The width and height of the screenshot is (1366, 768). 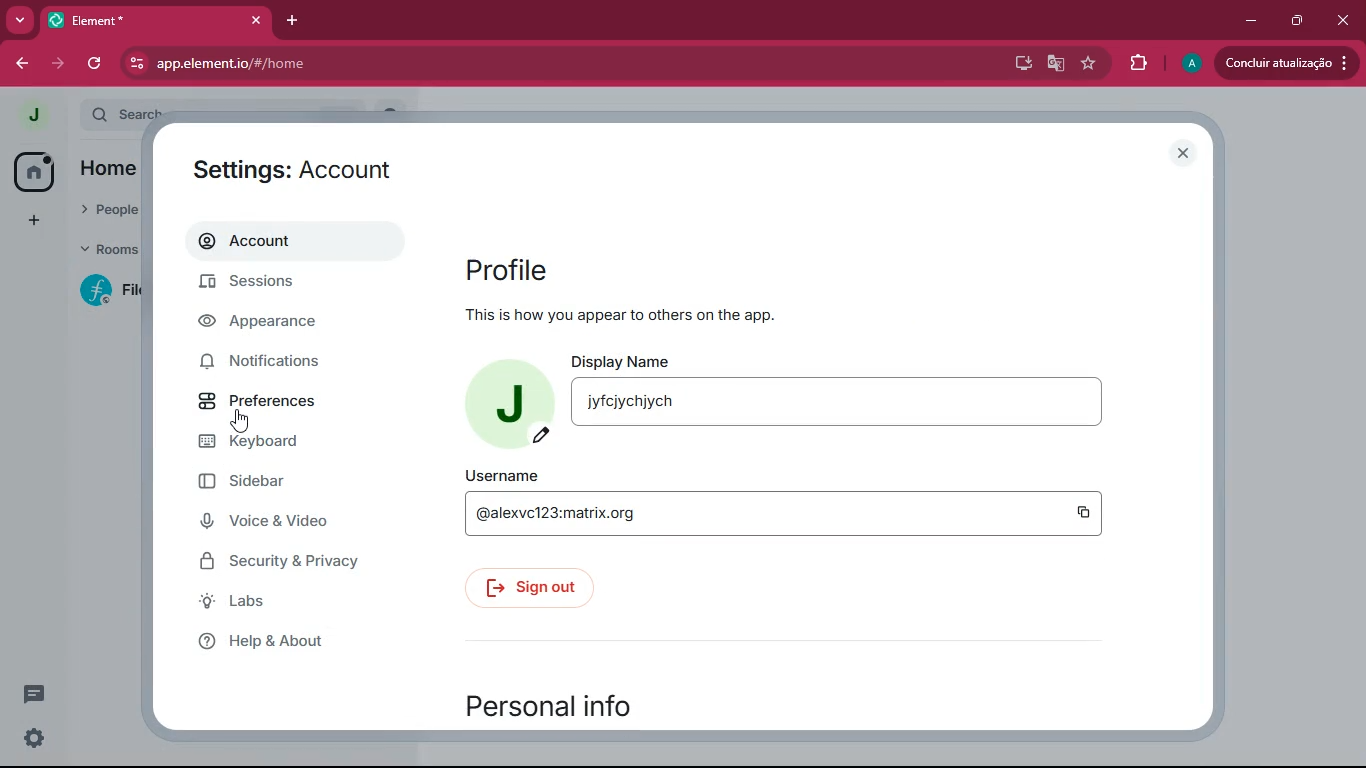 I want to click on account, so click(x=300, y=239).